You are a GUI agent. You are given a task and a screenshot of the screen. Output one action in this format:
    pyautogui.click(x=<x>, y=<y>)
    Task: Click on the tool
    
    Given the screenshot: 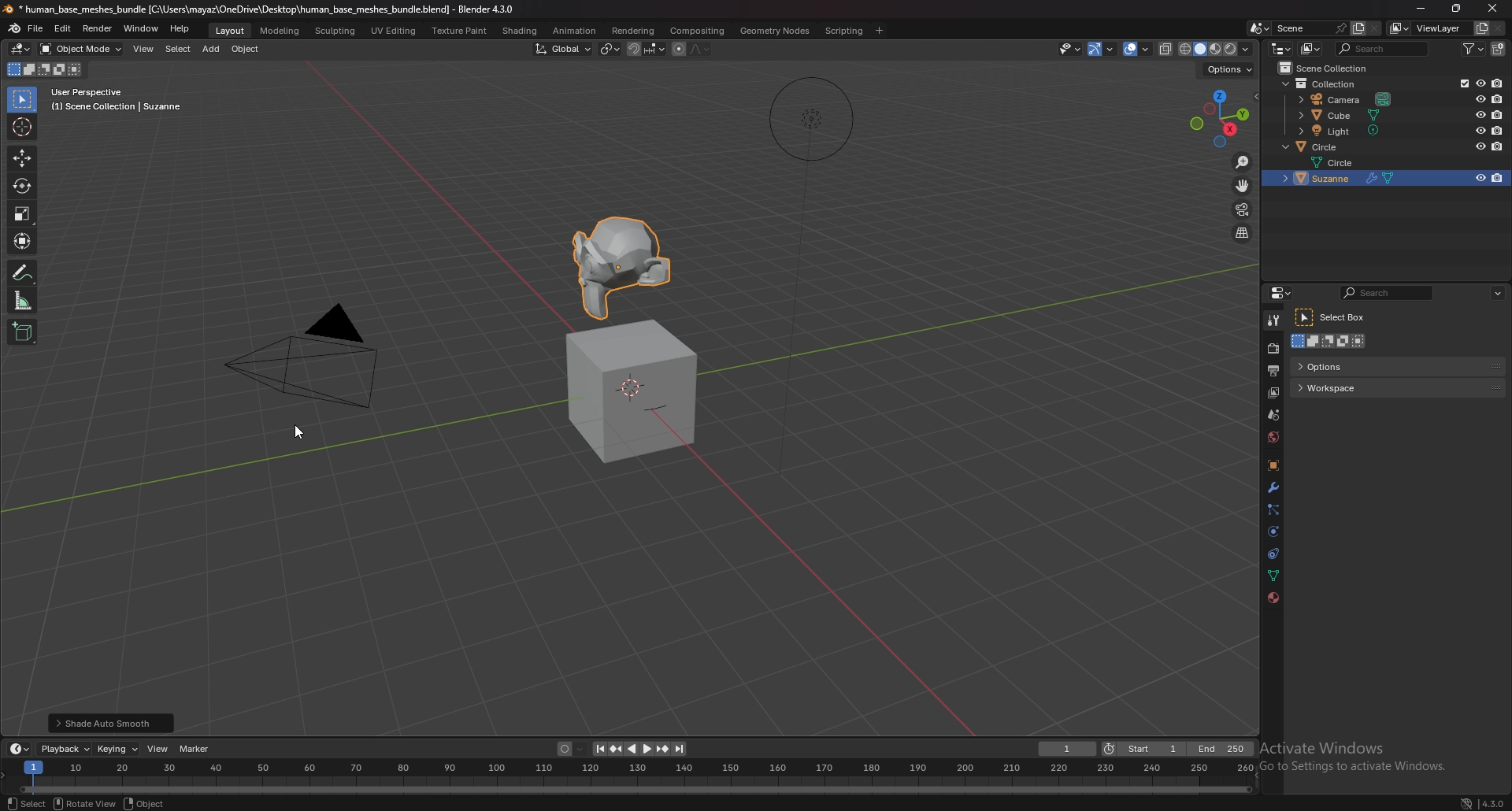 What is the action you would take?
    pyautogui.click(x=1273, y=321)
    